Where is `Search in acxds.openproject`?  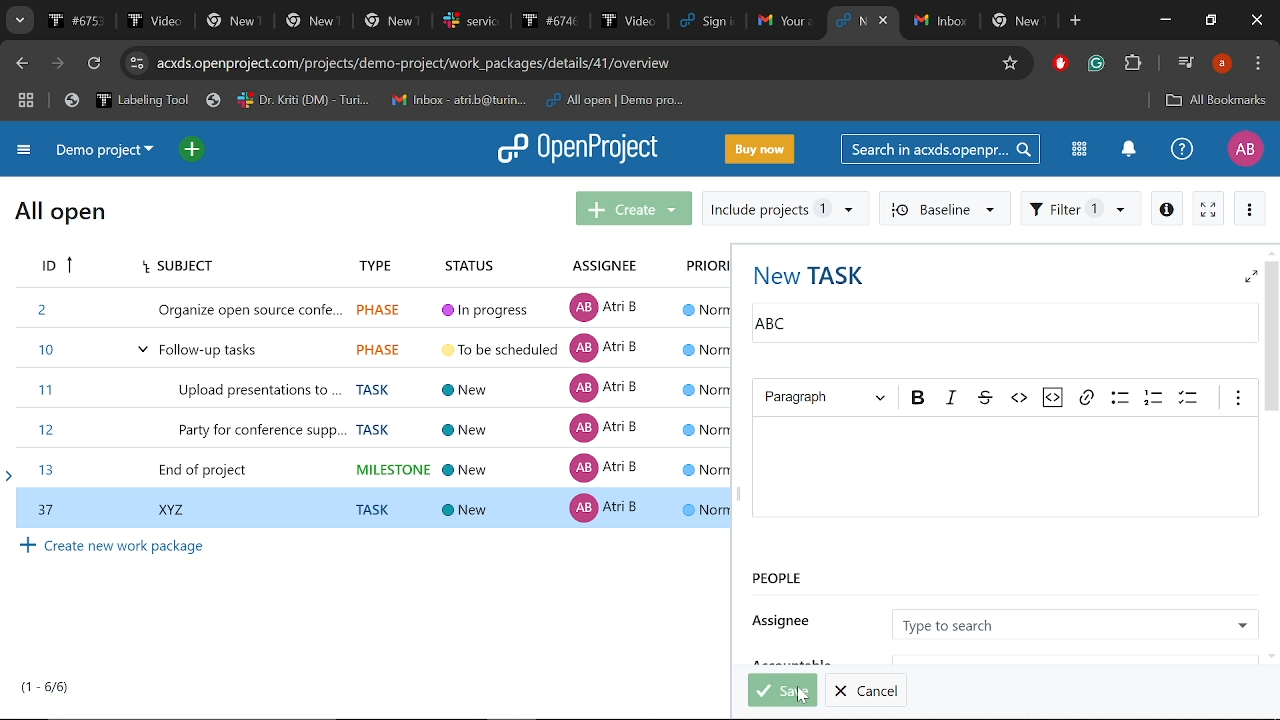 Search in acxds.openproject is located at coordinates (938, 148).